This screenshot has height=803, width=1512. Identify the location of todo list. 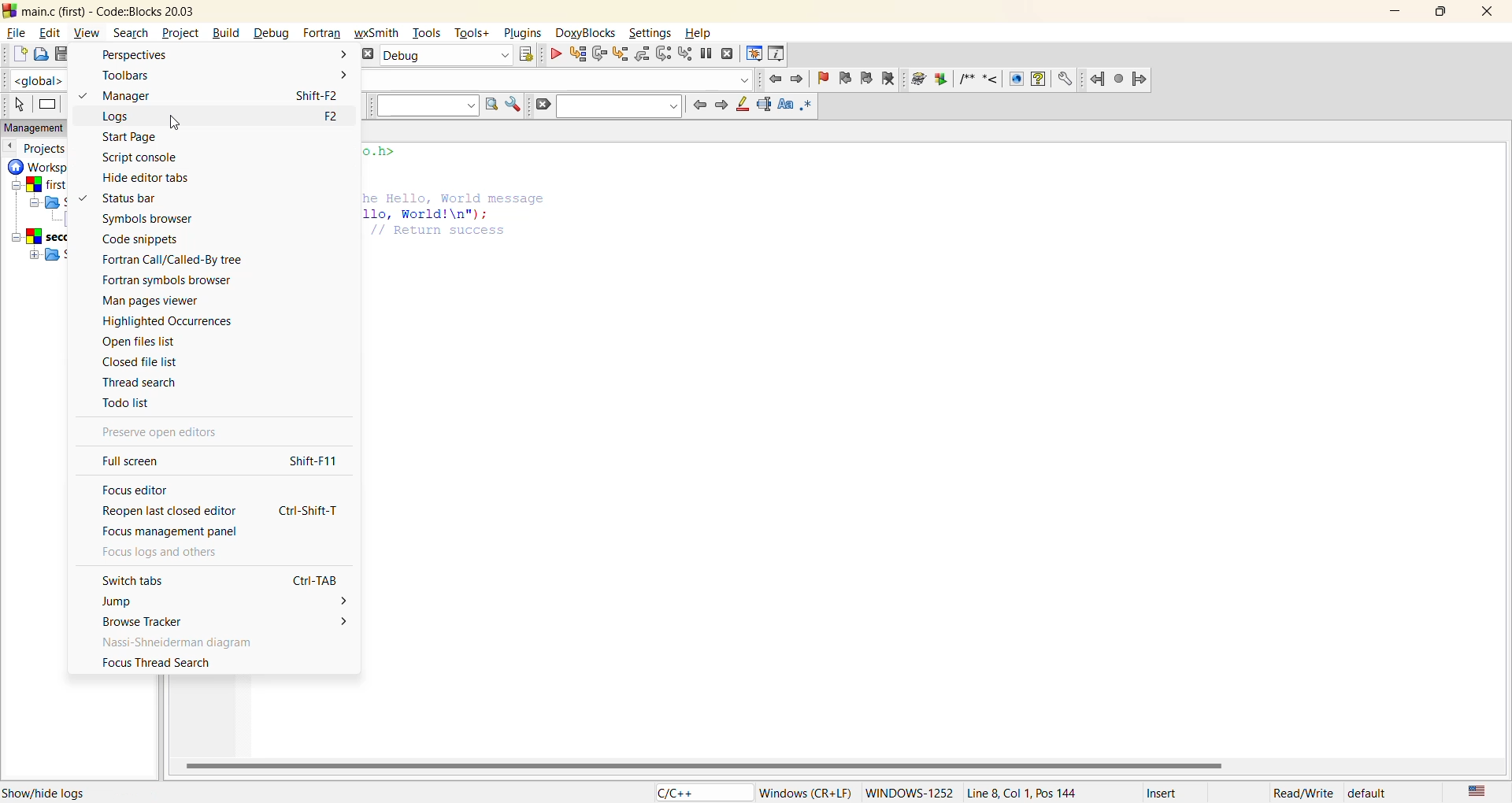
(151, 406).